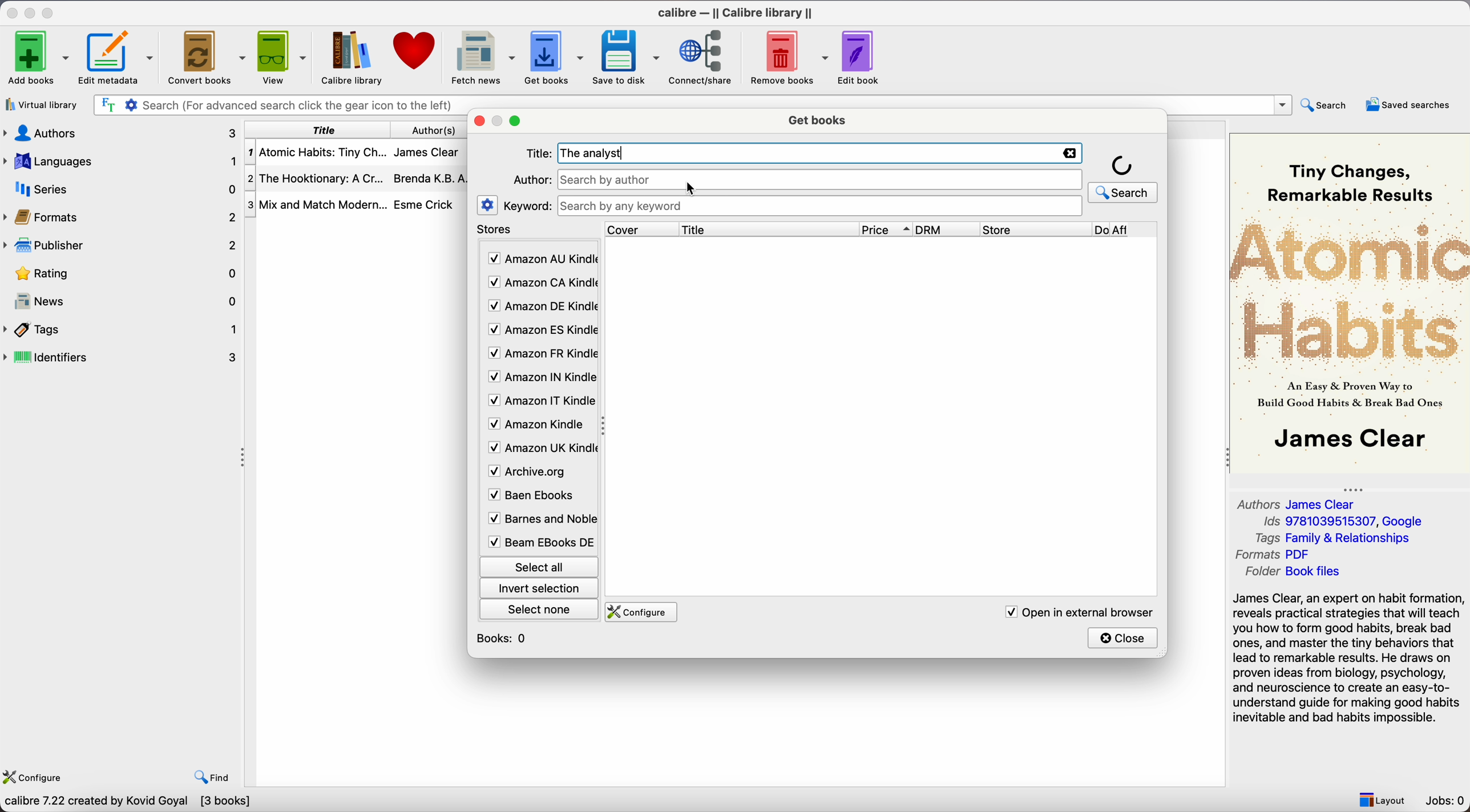  I want to click on Amazon Kindle, so click(538, 426).